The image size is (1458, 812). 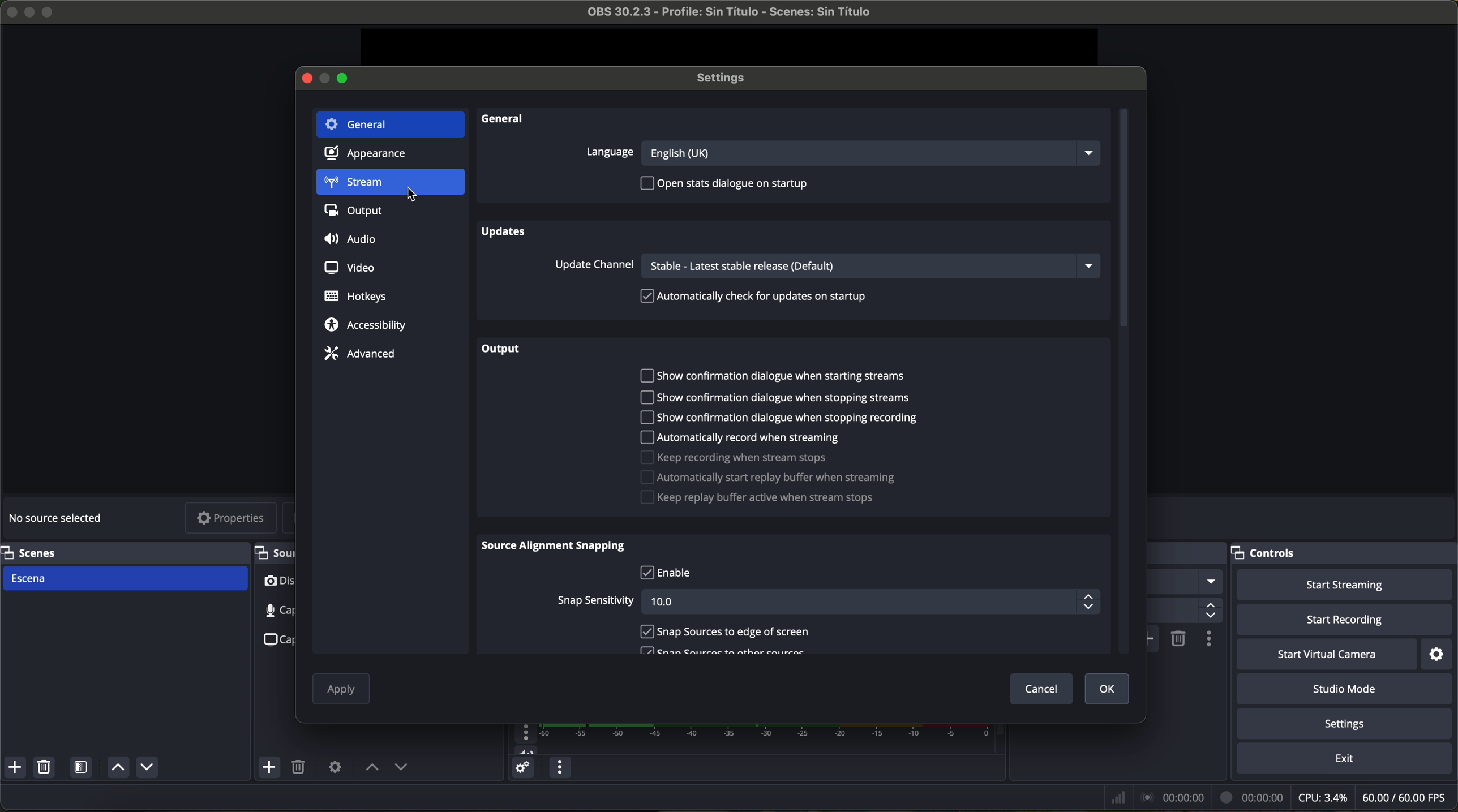 What do you see at coordinates (1183, 611) in the screenshot?
I see `300 ms` at bounding box center [1183, 611].